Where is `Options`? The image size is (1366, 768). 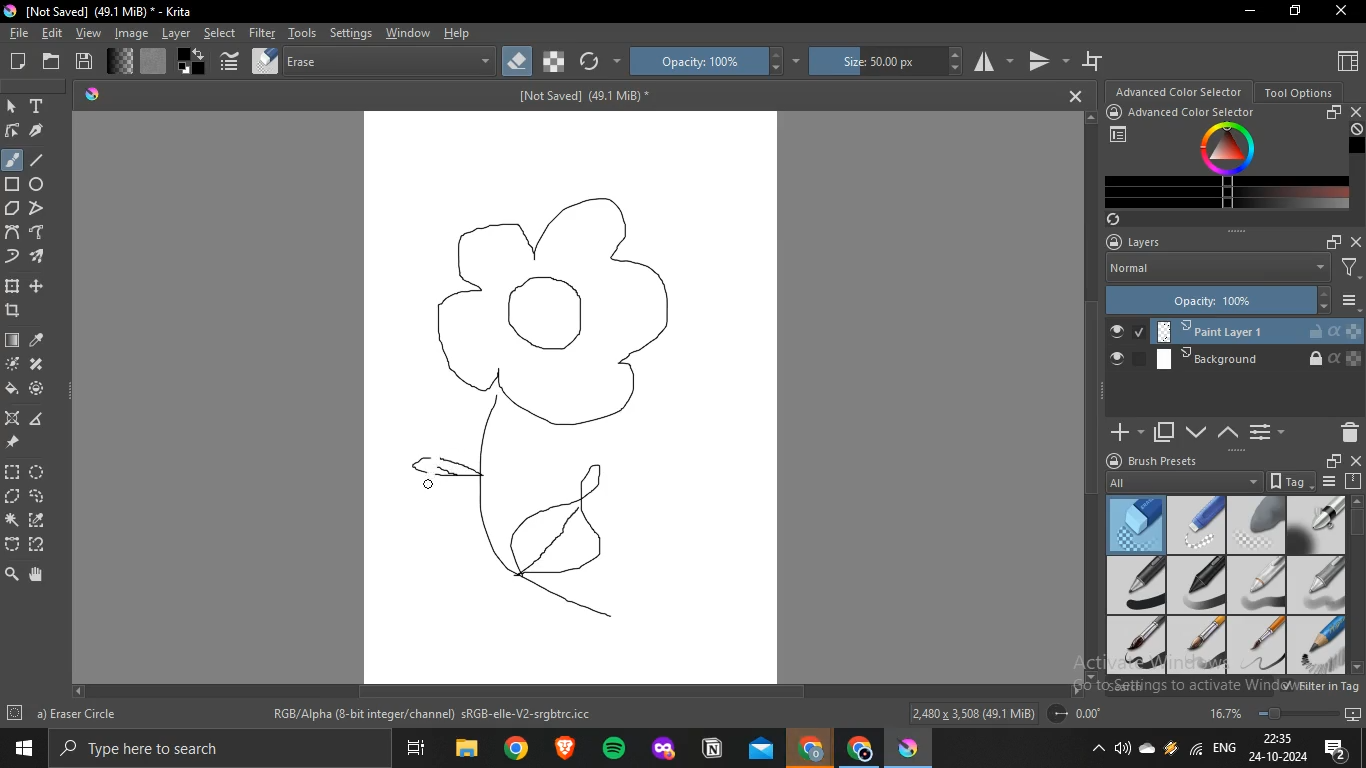
Options is located at coordinates (1330, 481).